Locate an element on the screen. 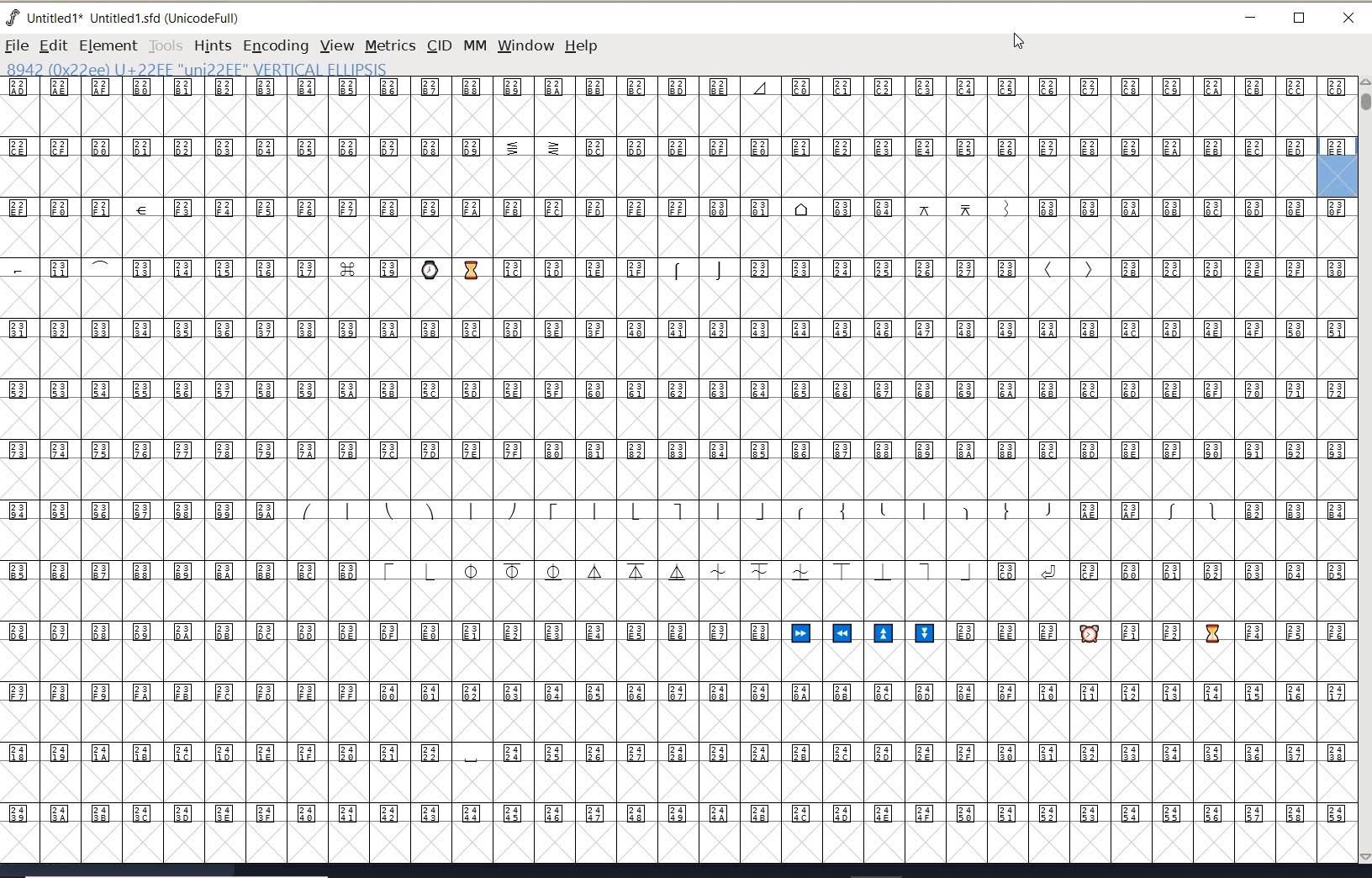 The width and height of the screenshot is (1372, 878). minimize is located at coordinates (1251, 18).